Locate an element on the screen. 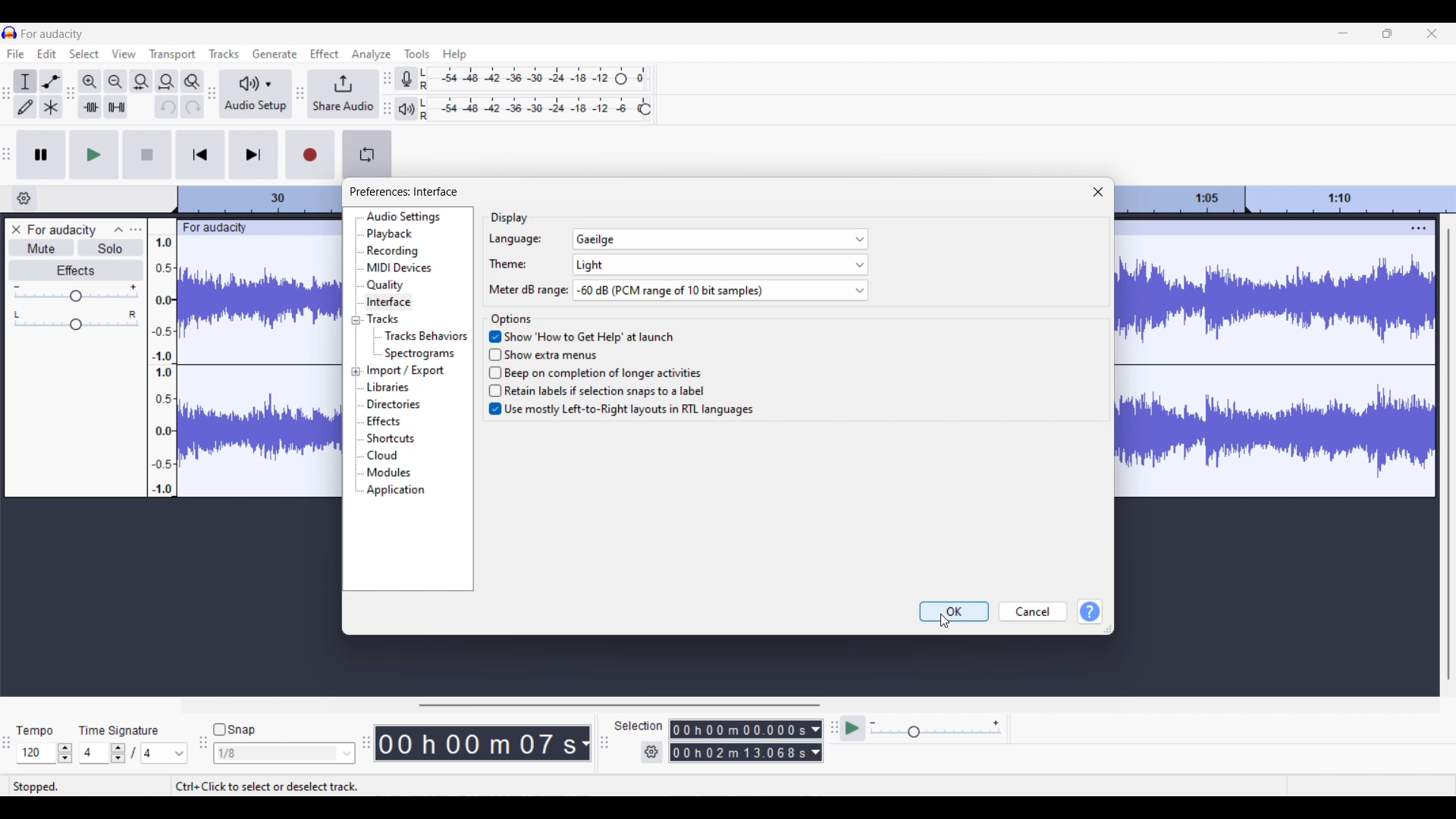 The width and height of the screenshot is (1456, 819). Recording level is located at coordinates (516, 79).